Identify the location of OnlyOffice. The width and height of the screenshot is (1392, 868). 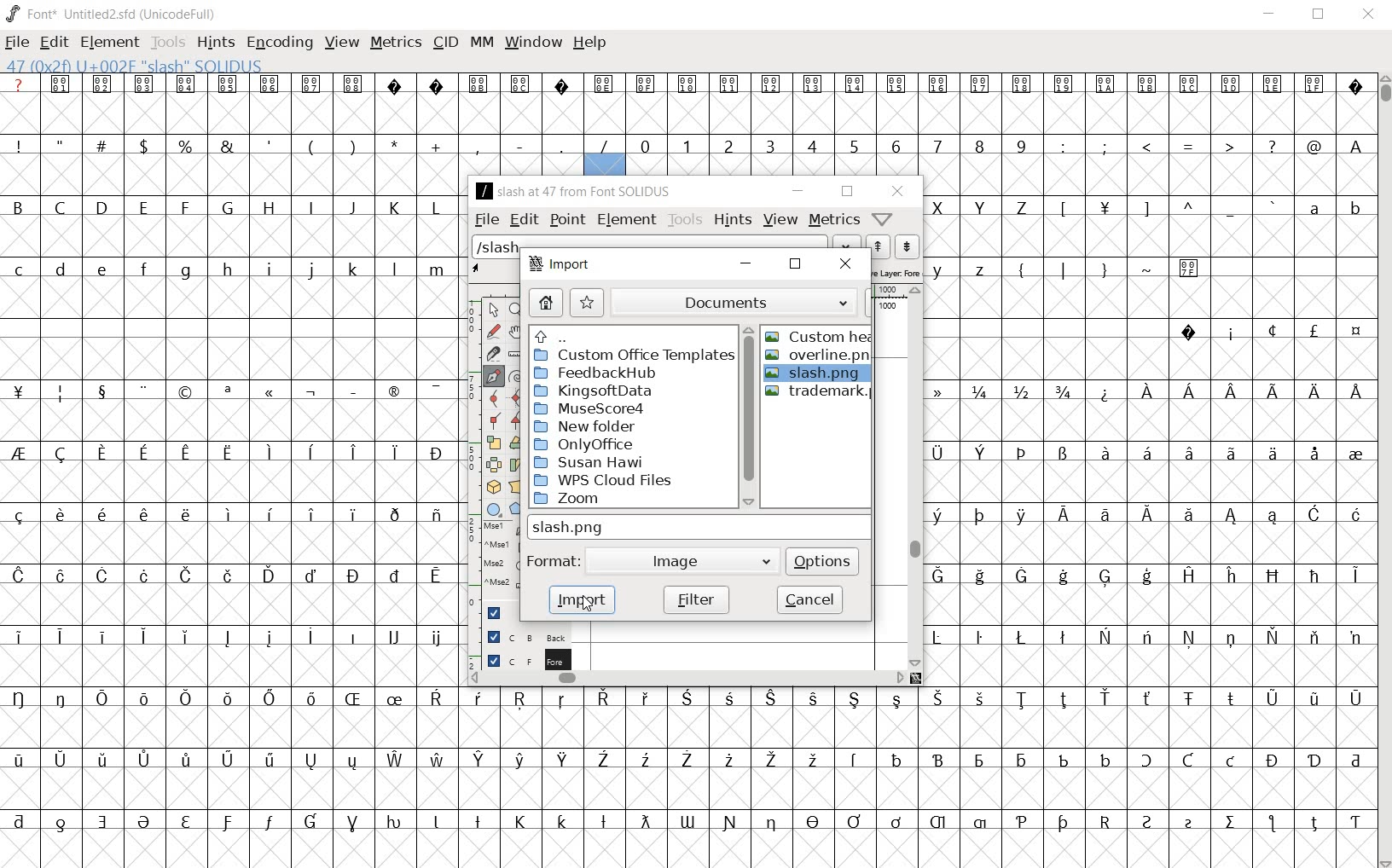
(587, 444).